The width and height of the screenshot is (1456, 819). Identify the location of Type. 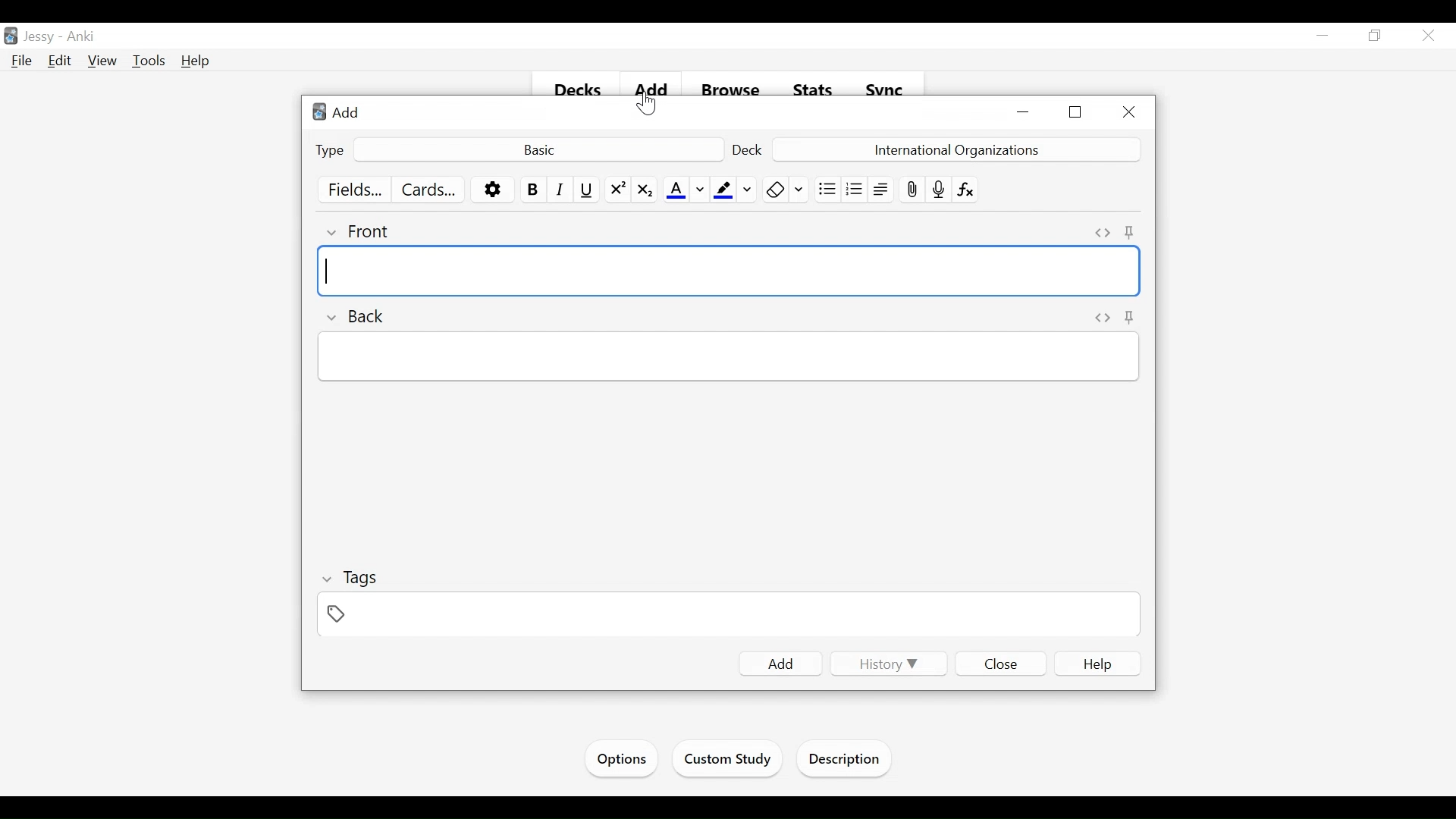
(328, 150).